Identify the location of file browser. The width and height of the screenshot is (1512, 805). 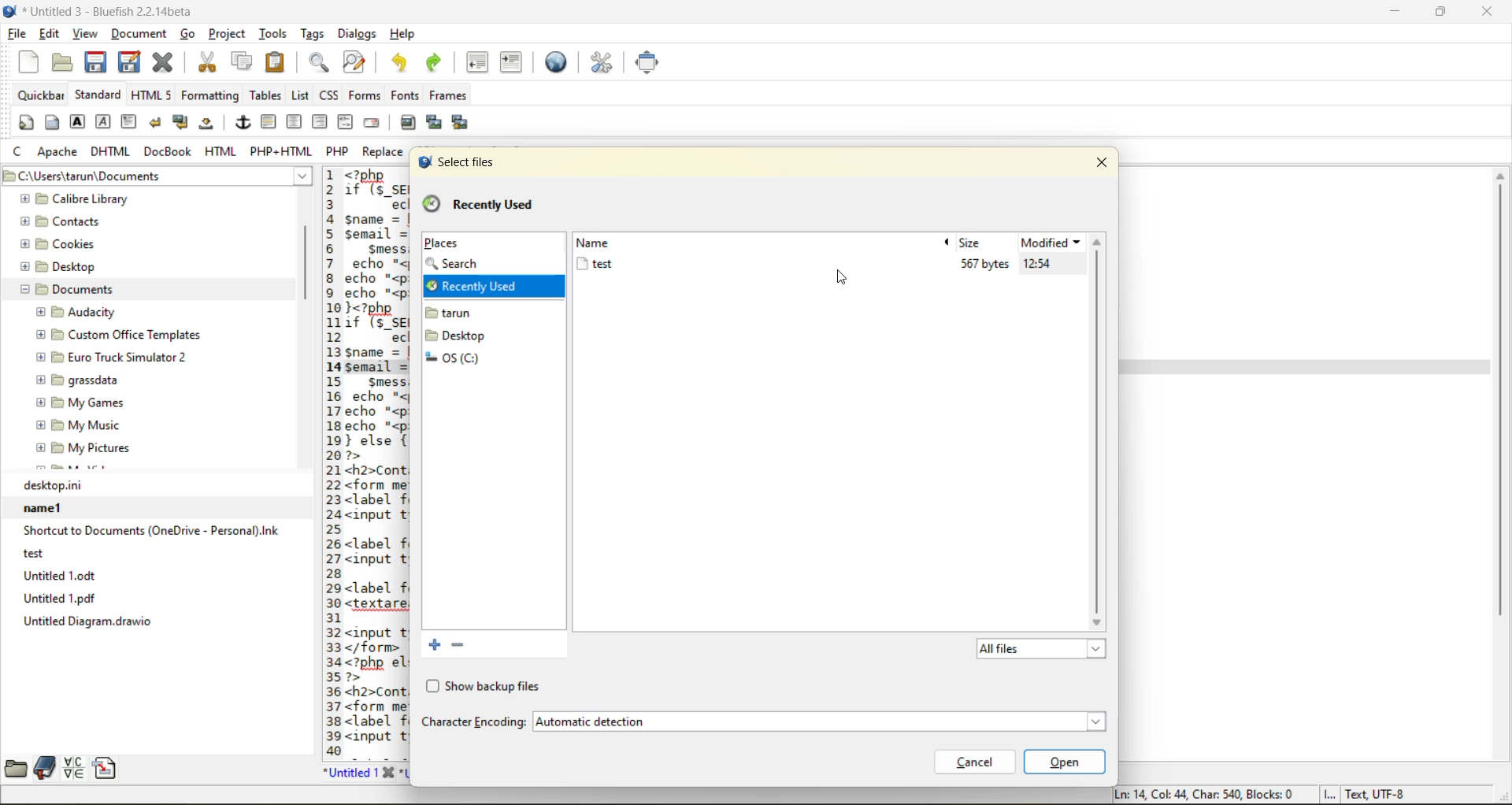
(14, 768).